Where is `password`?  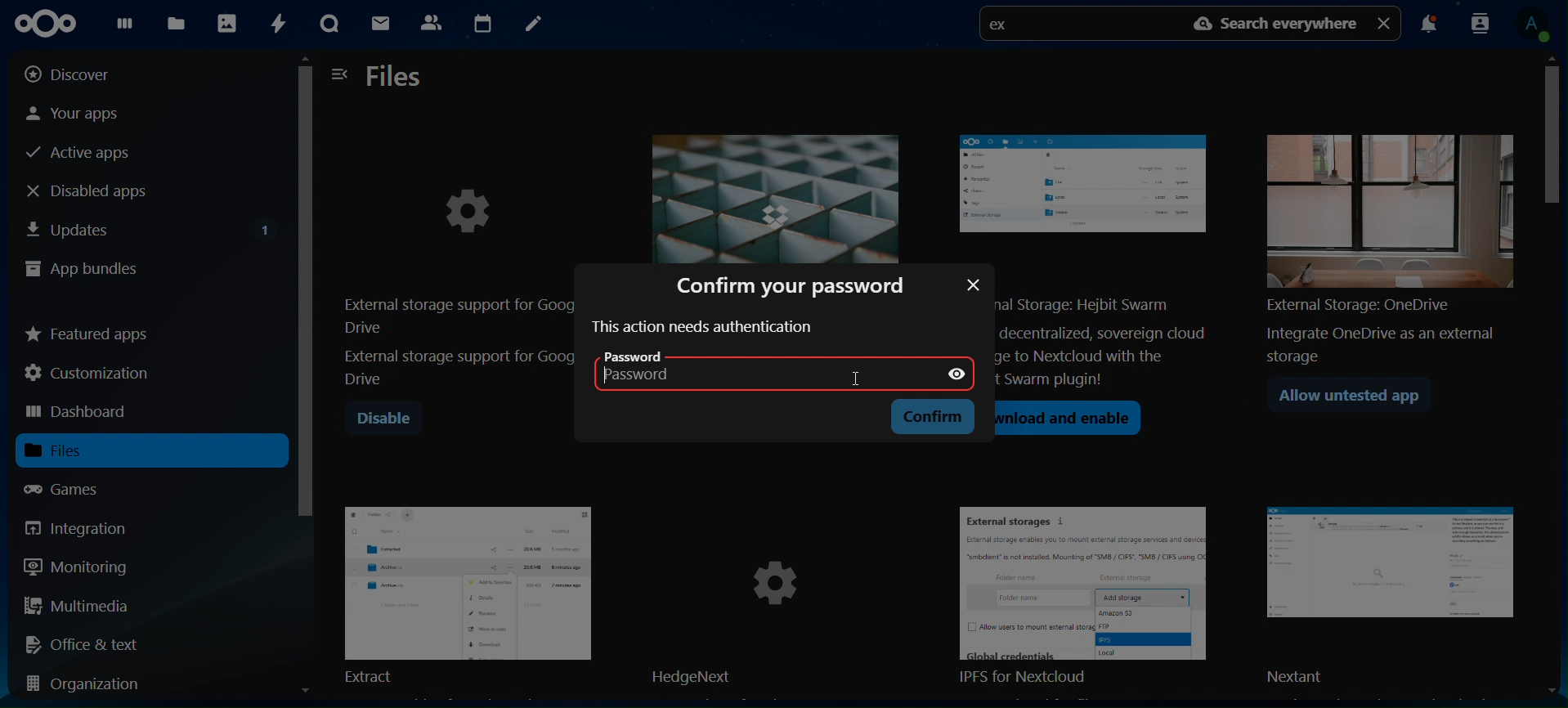
password is located at coordinates (664, 369).